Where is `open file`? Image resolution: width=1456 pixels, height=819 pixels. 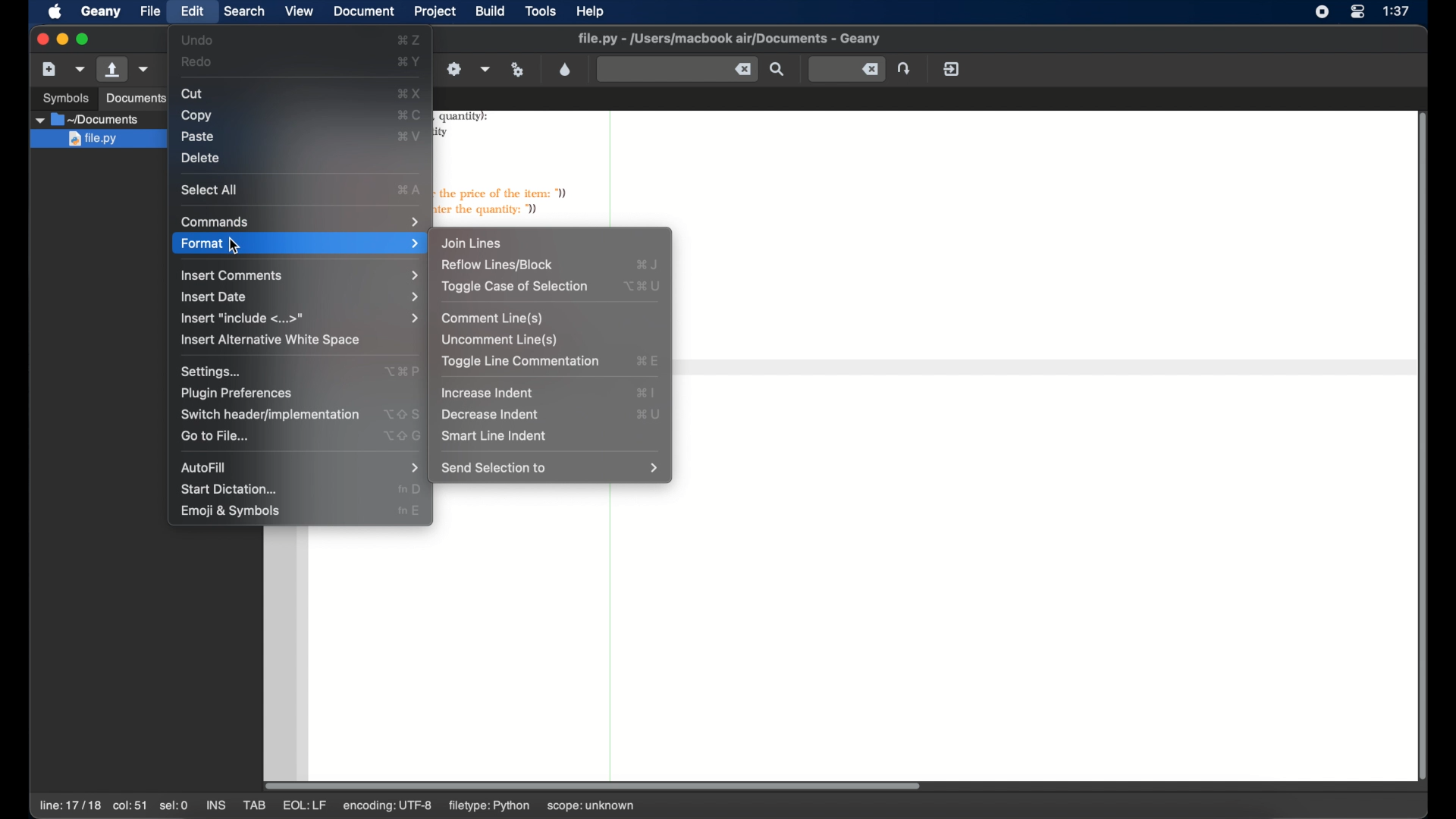
open file is located at coordinates (111, 70).